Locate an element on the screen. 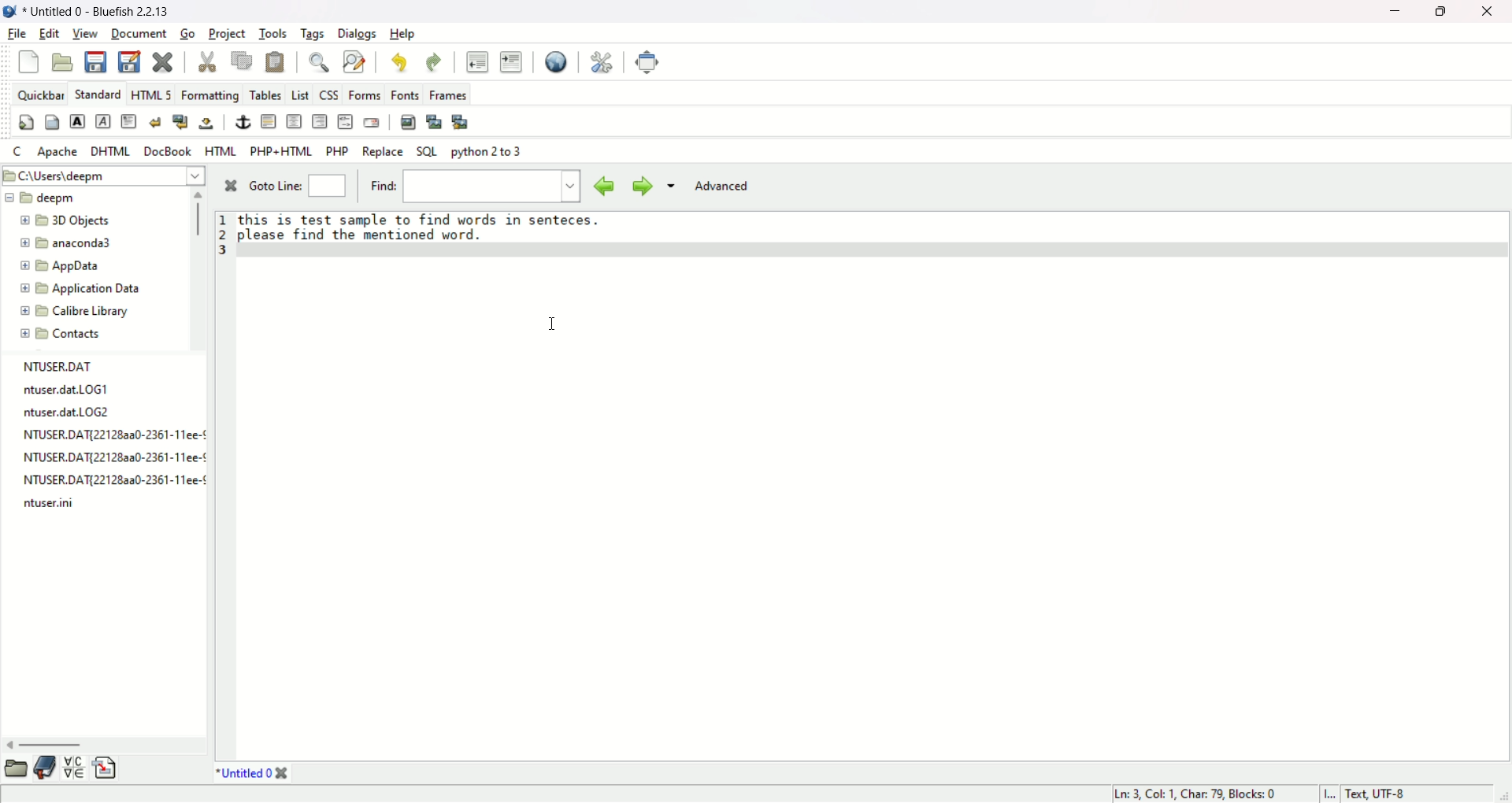  close is located at coordinates (225, 188).